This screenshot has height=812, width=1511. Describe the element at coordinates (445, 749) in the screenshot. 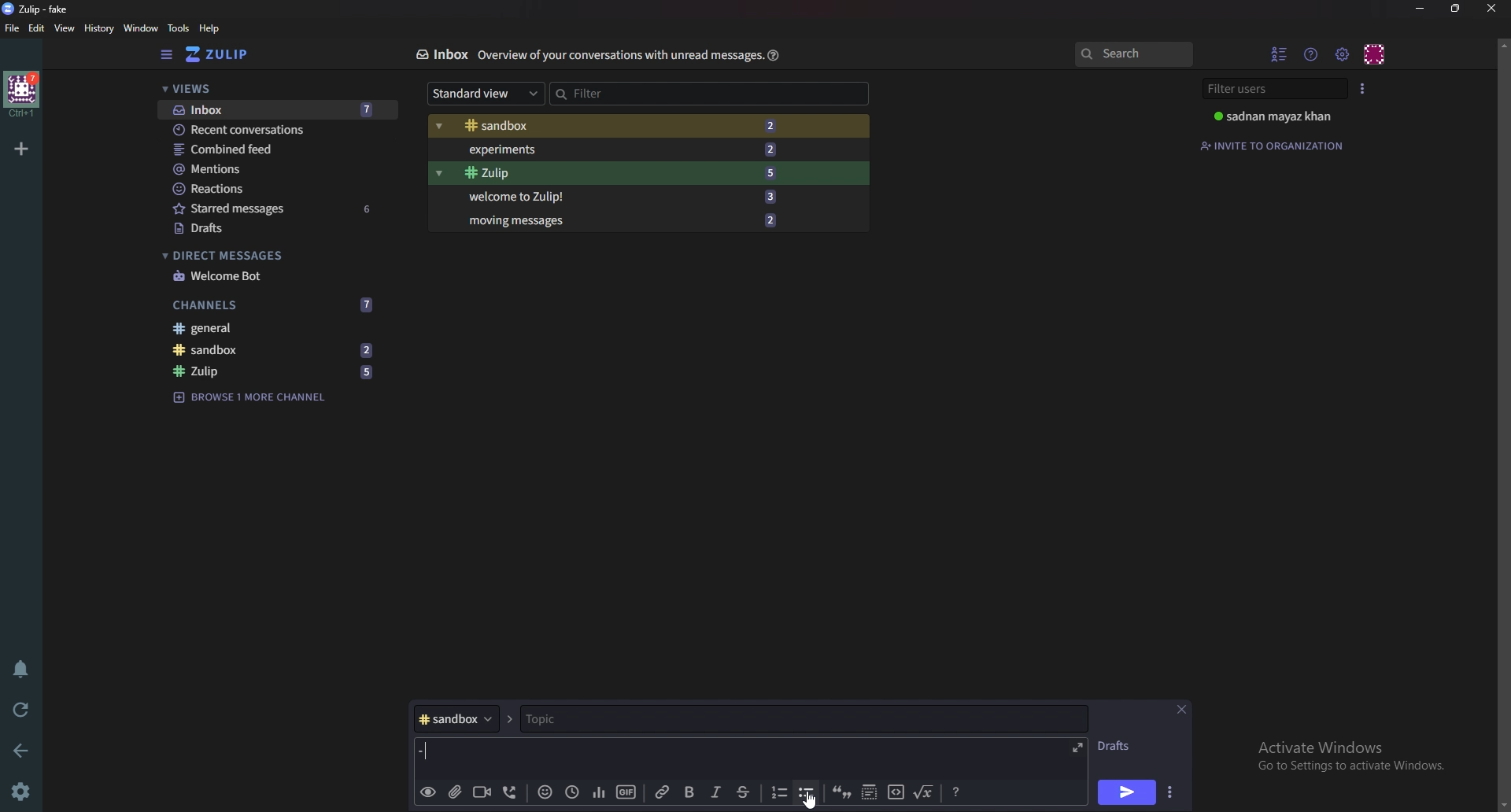

I see `Bullet point` at that location.